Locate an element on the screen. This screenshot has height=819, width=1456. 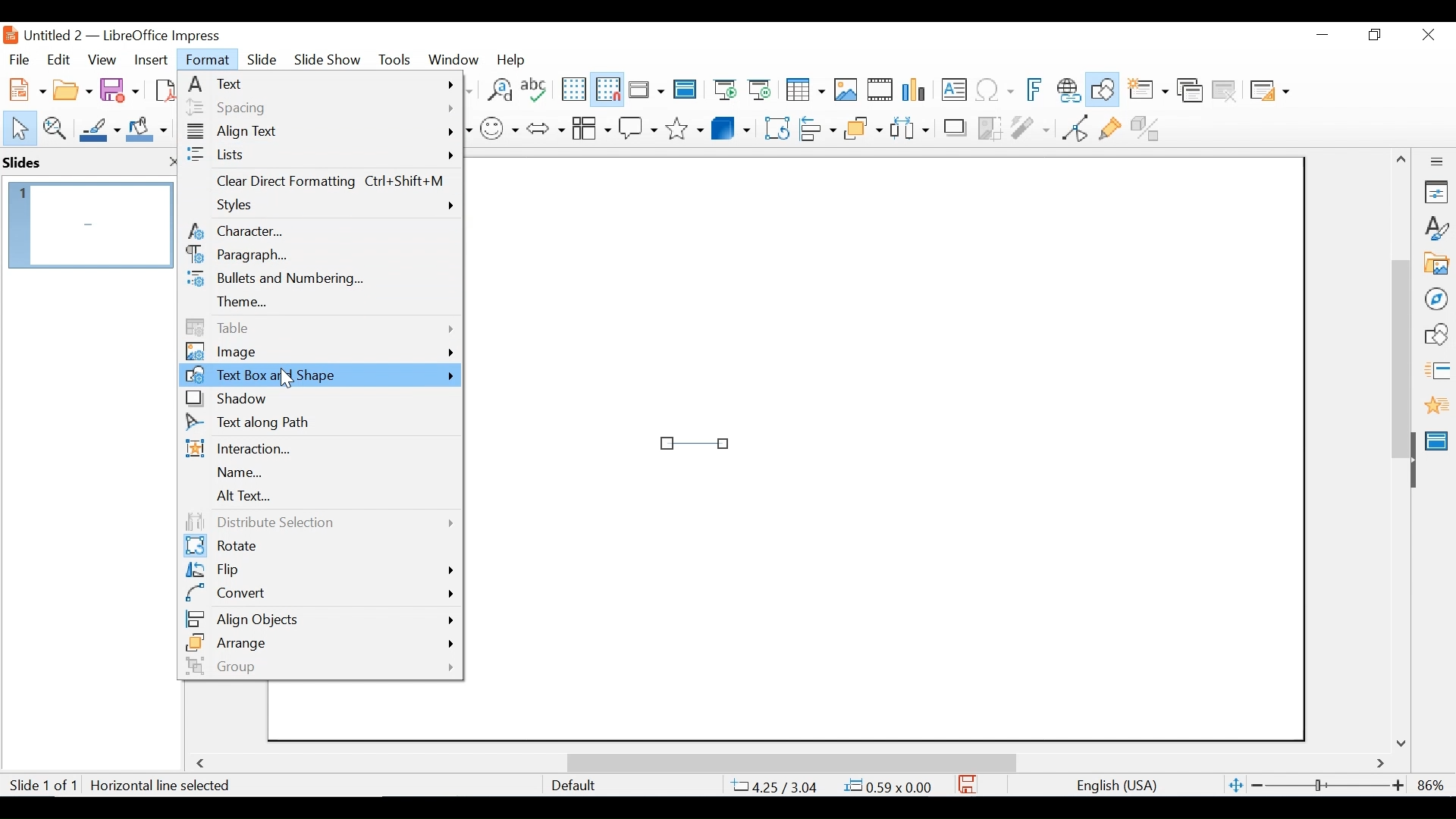
Delete Slide is located at coordinates (1223, 91).